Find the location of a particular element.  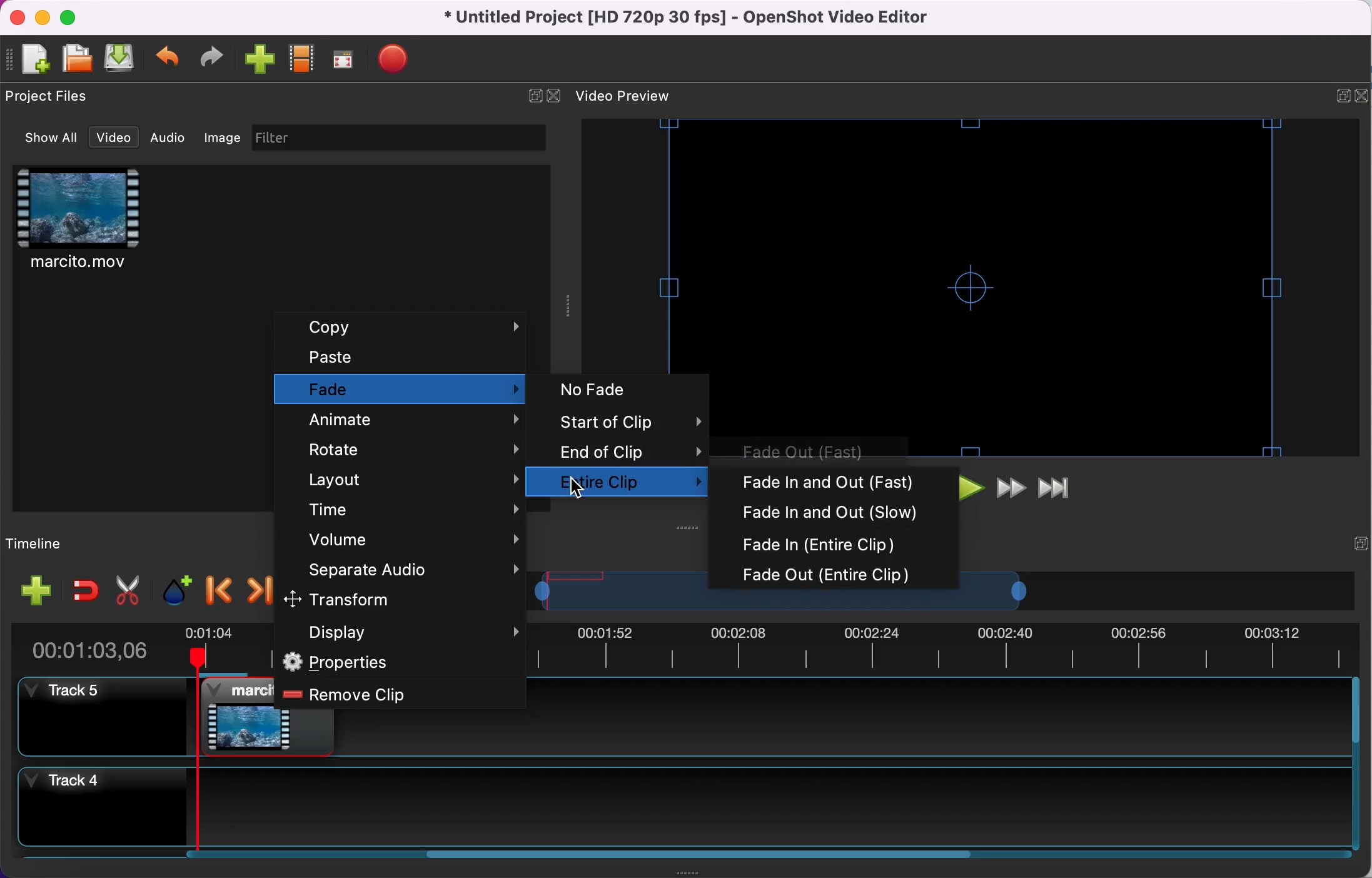

add marker is located at coordinates (173, 590).